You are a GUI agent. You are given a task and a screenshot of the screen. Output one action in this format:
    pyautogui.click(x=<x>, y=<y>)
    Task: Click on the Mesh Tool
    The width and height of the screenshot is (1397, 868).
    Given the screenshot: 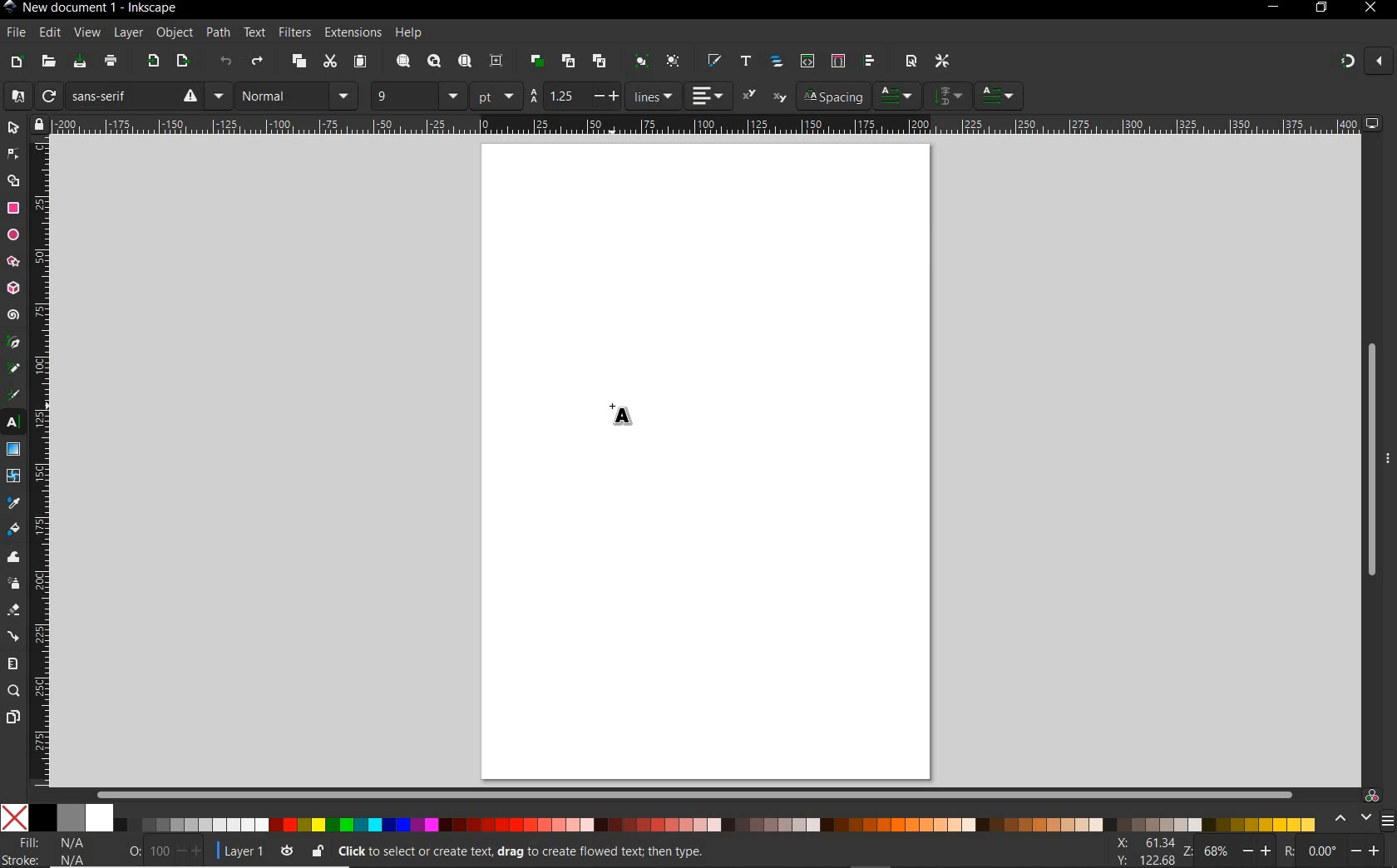 What is the action you would take?
    pyautogui.click(x=14, y=476)
    